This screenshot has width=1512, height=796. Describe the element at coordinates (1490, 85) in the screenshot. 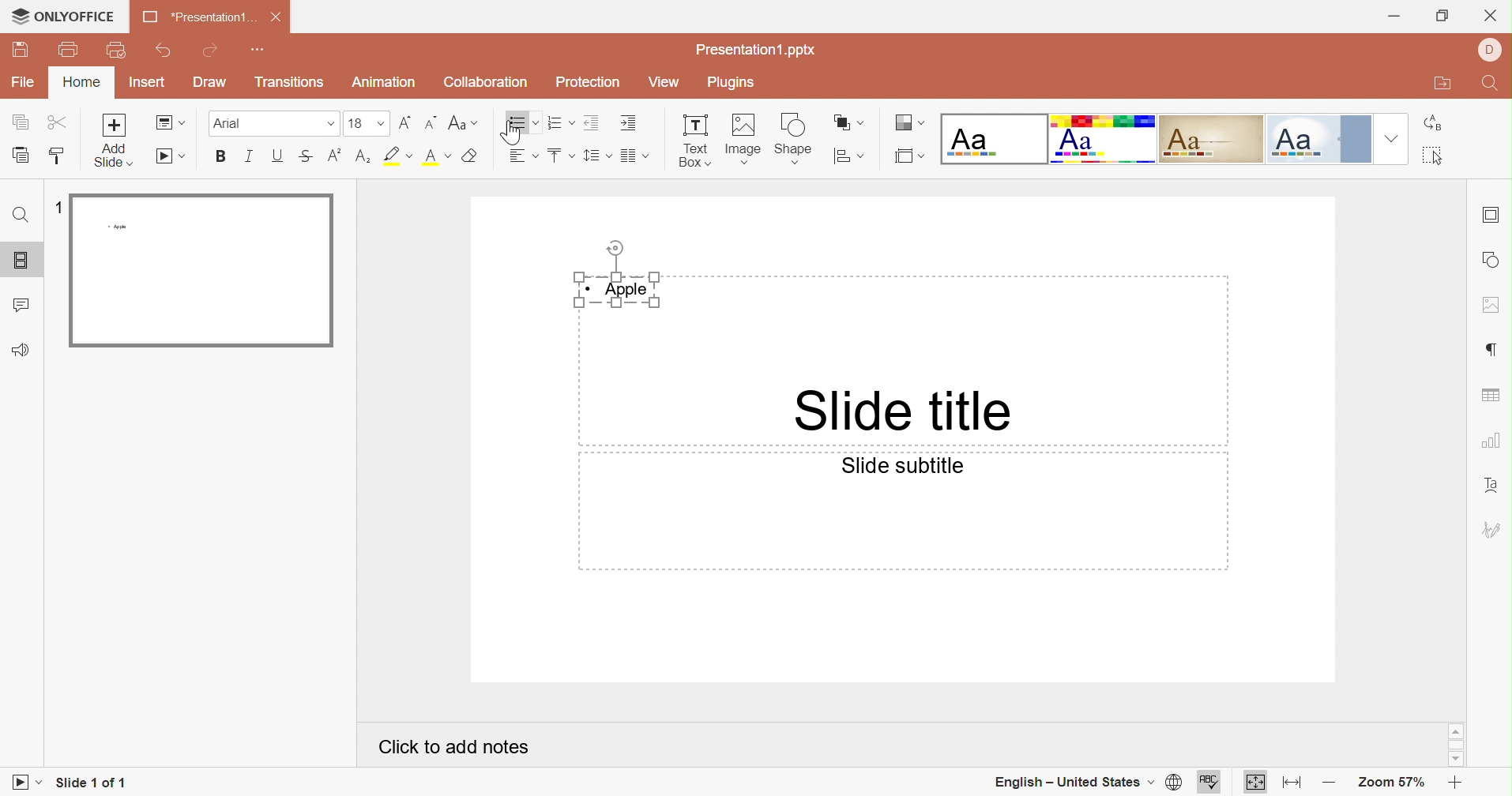

I see `Find` at that location.